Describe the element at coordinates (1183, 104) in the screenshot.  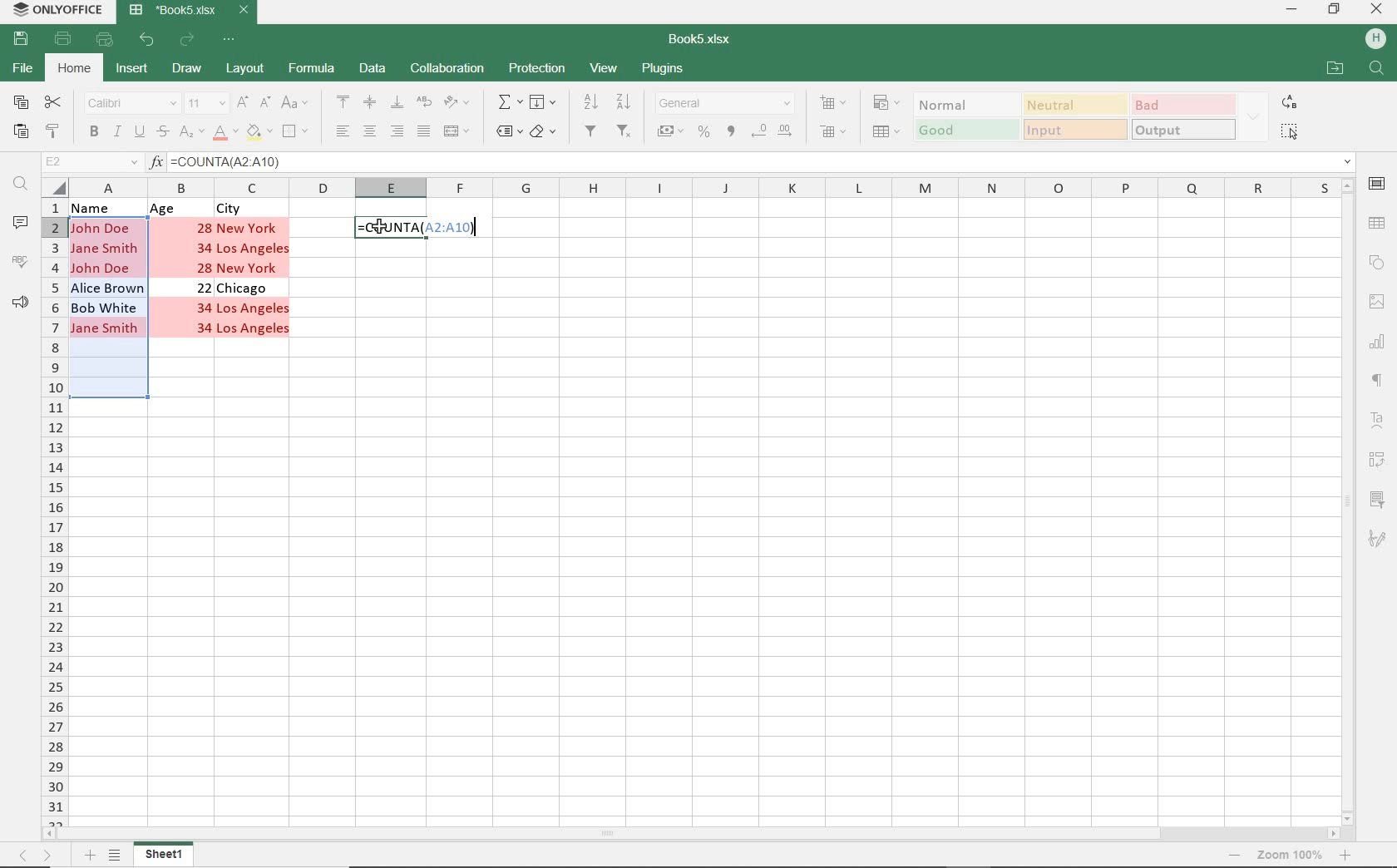
I see `BAD` at that location.